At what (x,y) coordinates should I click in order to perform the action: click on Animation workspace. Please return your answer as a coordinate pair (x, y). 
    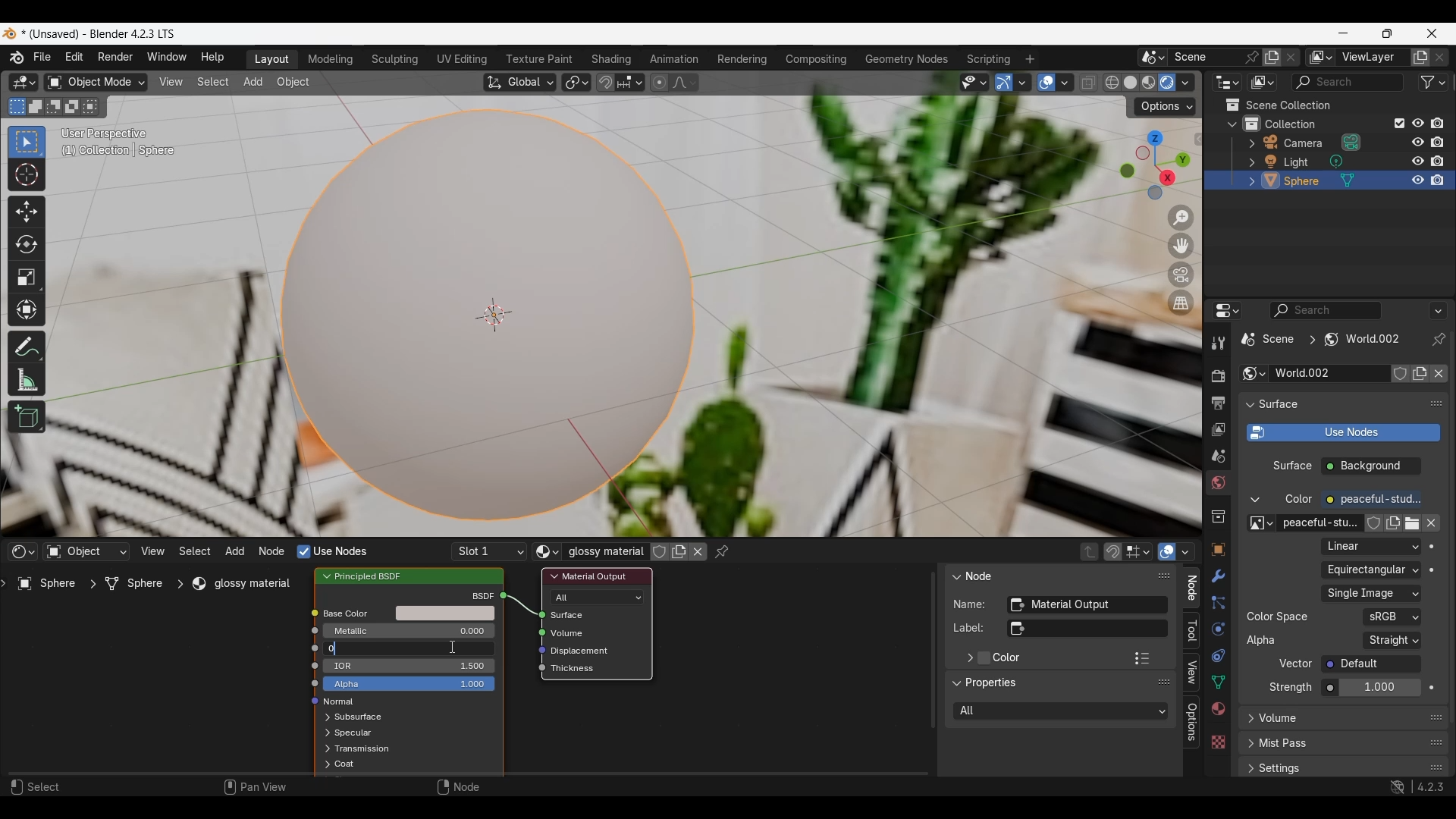
    Looking at the image, I should click on (676, 58).